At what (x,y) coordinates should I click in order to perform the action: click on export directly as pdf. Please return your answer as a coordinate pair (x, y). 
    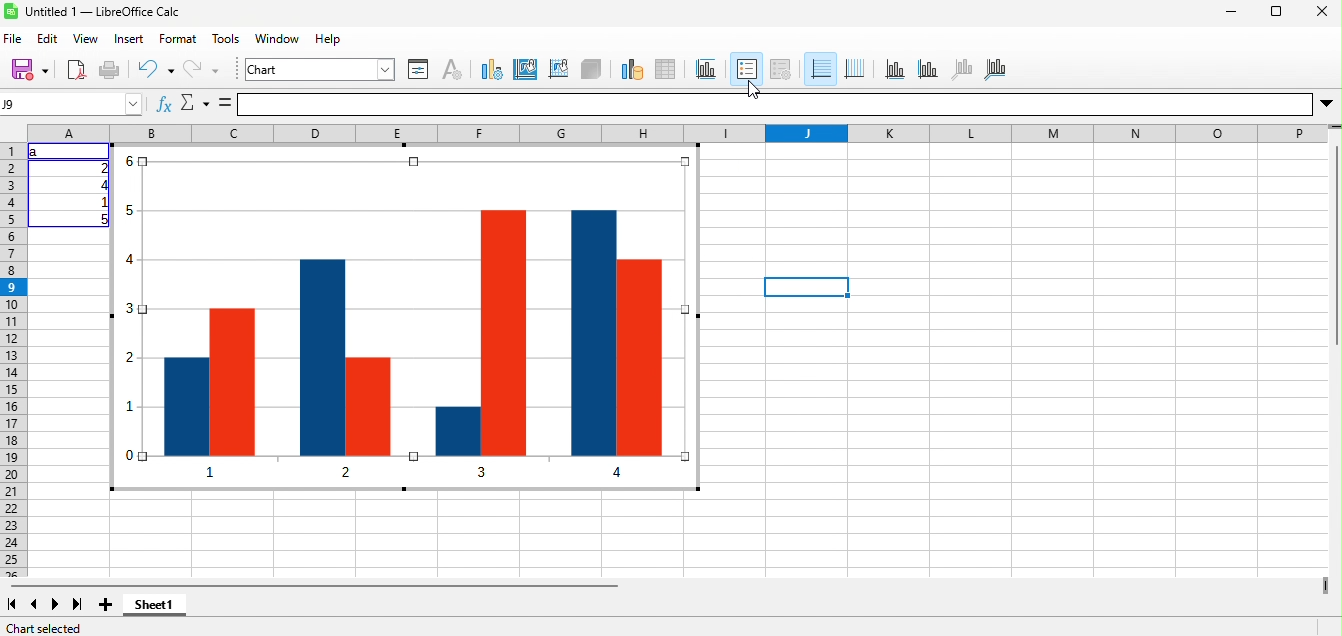
    Looking at the image, I should click on (77, 71).